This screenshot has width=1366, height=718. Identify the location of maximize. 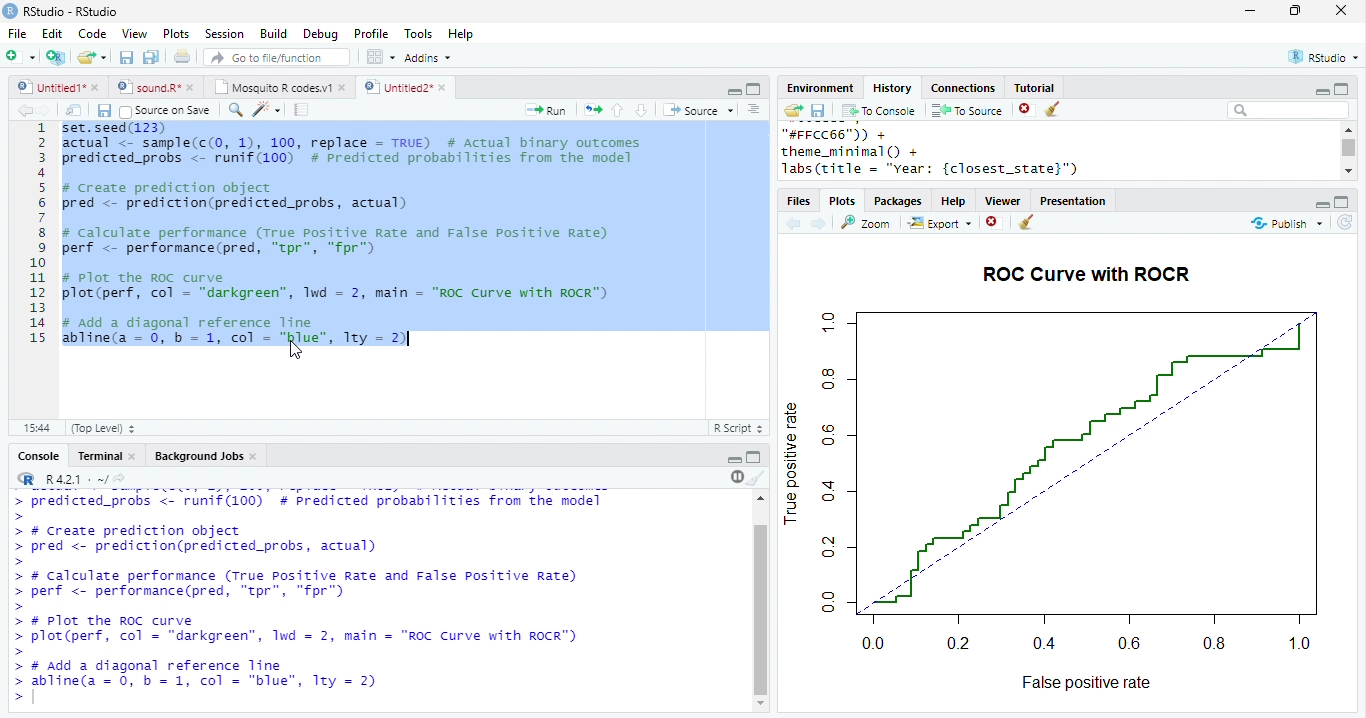
(1342, 202).